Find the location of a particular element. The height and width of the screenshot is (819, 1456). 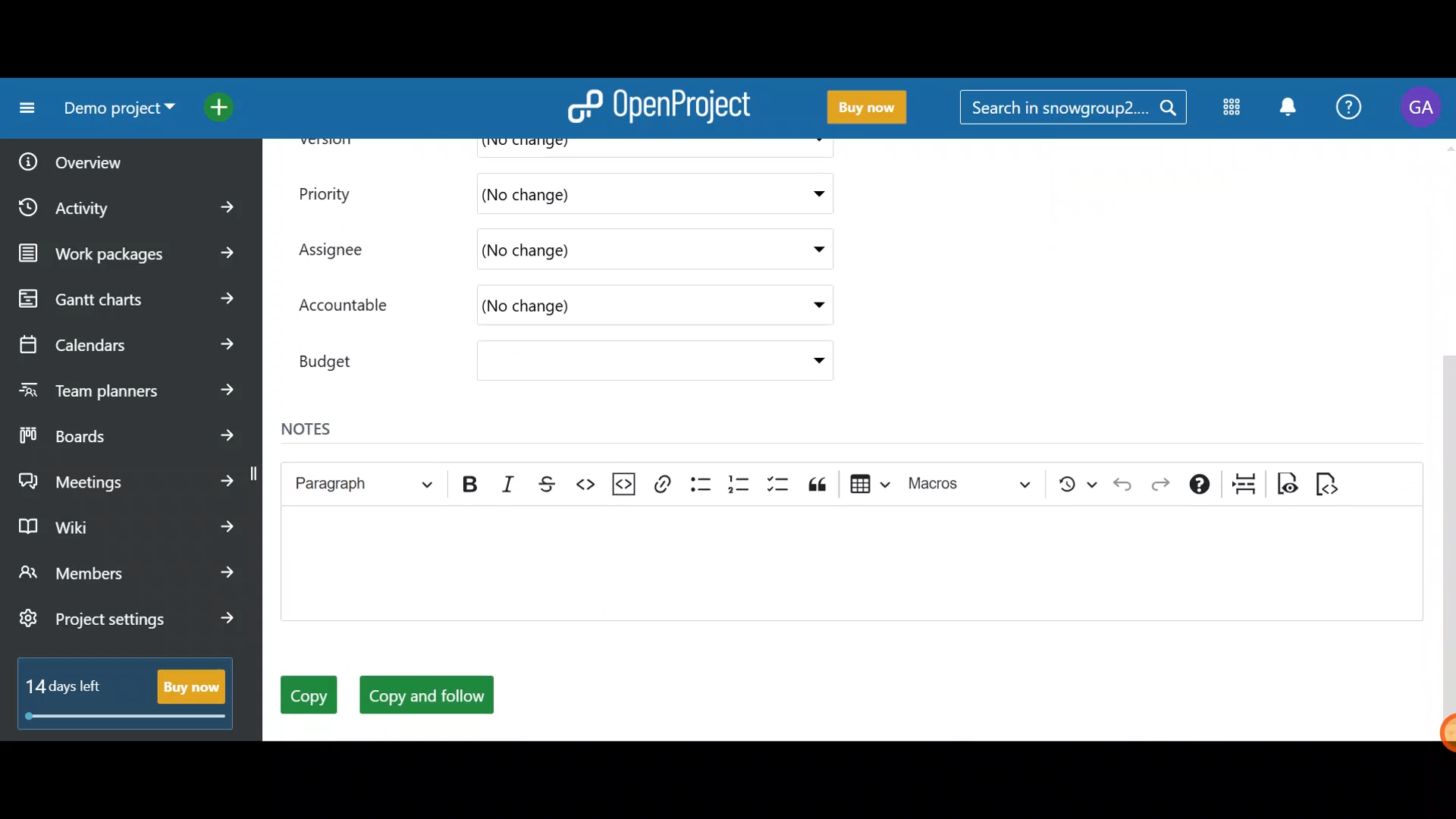

Heading is located at coordinates (358, 489).